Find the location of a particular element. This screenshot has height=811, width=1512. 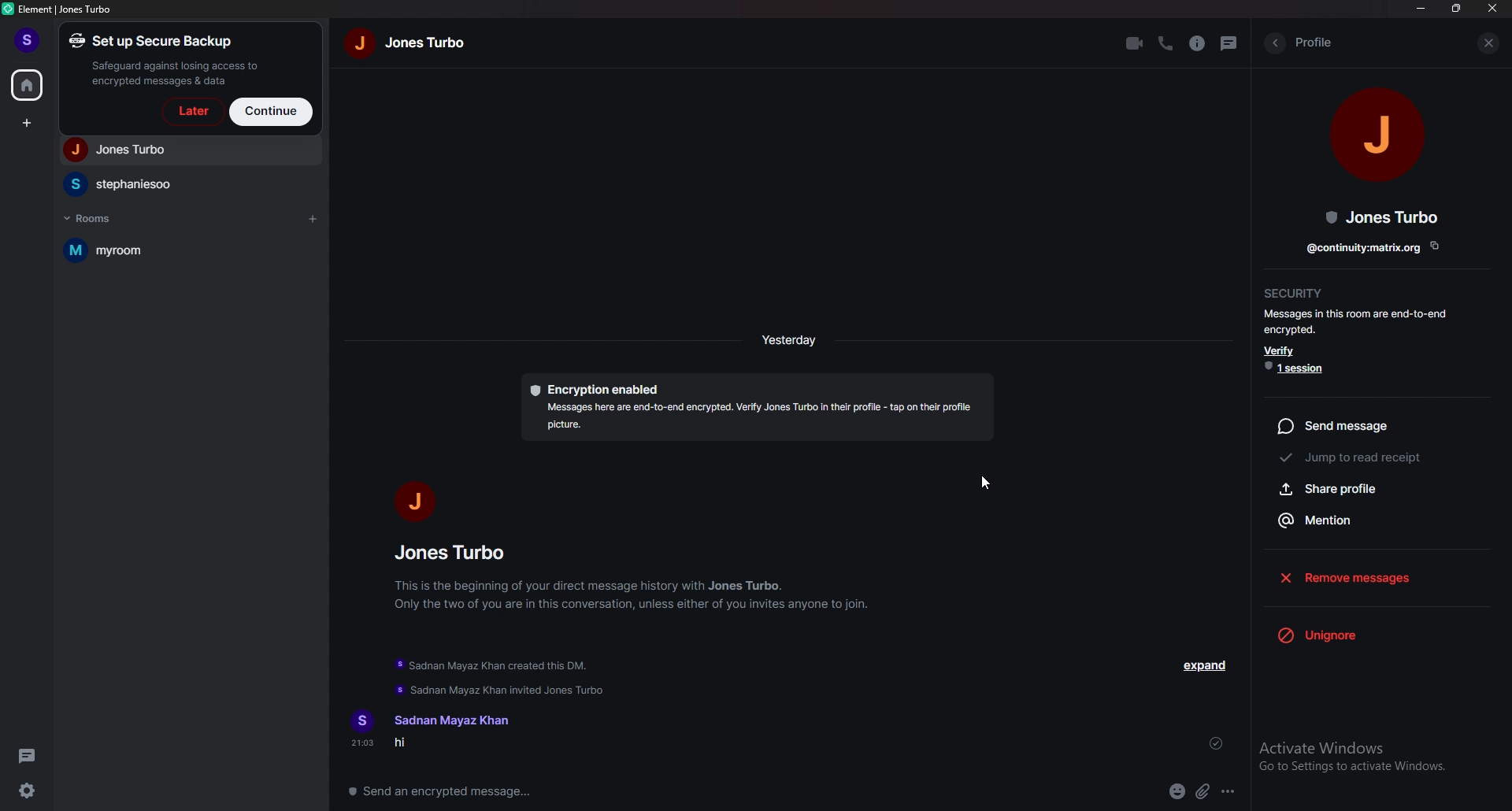

time is located at coordinates (791, 339).